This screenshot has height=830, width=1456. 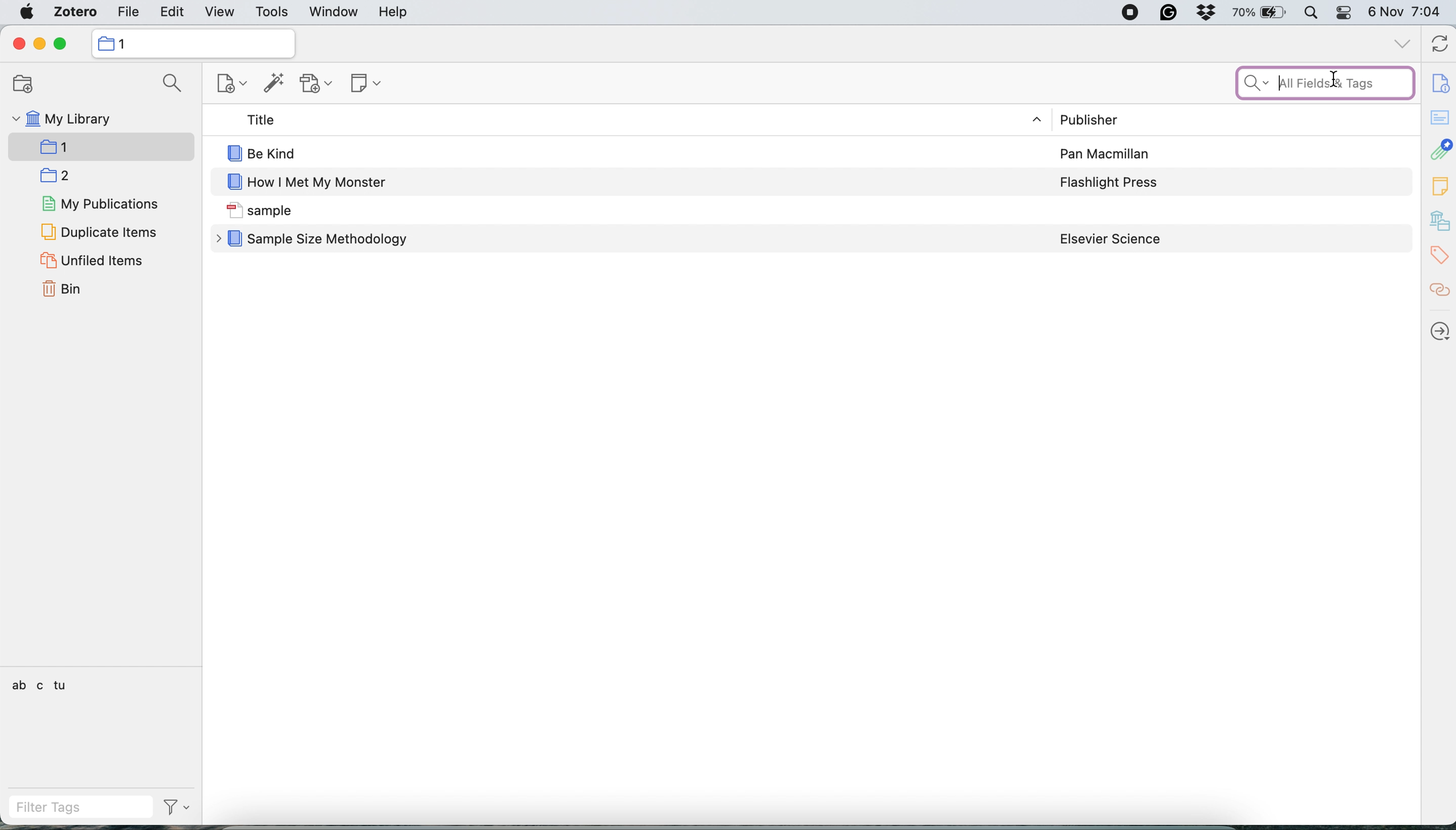 What do you see at coordinates (1347, 13) in the screenshot?
I see `control center` at bounding box center [1347, 13].